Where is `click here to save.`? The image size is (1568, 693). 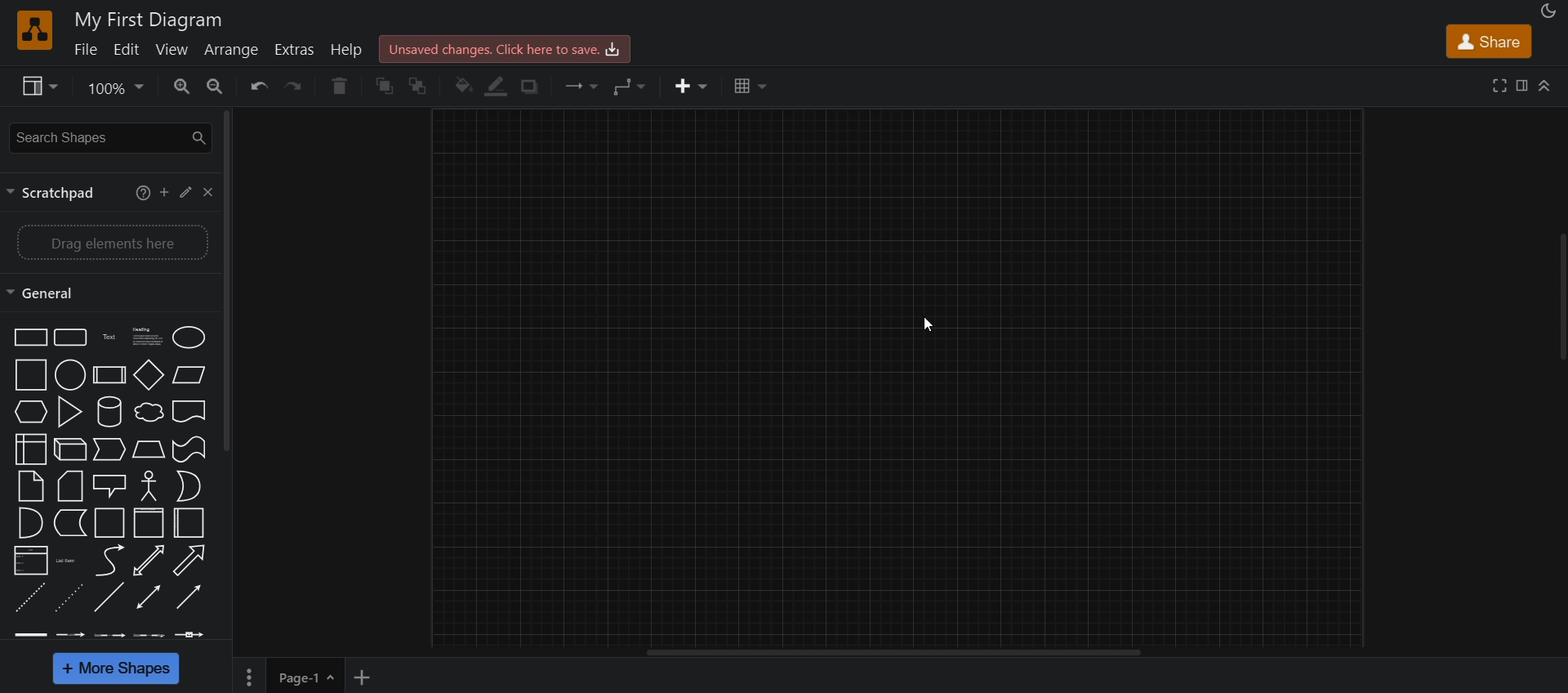
click here to save. is located at coordinates (503, 47).